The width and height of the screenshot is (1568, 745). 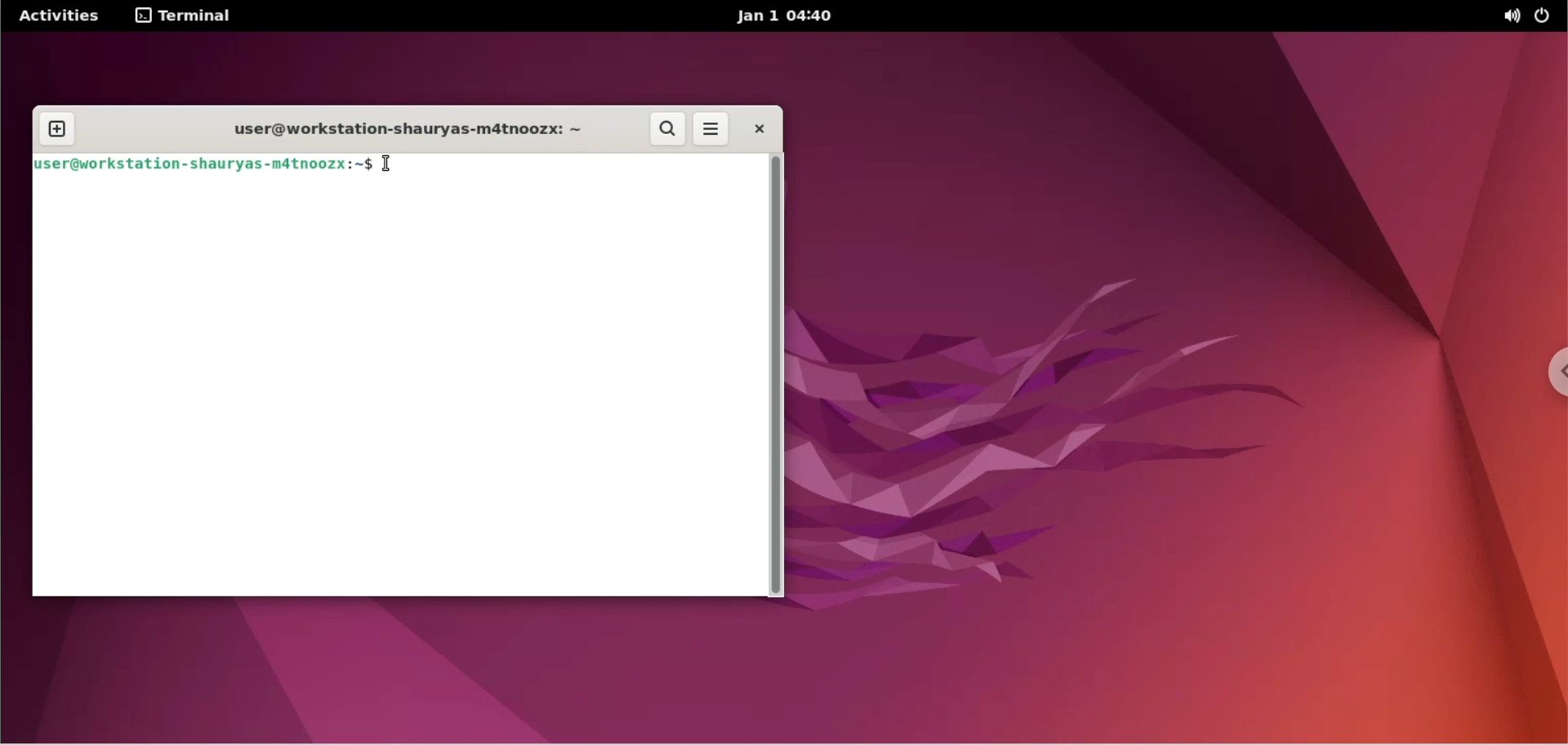 I want to click on Activities, so click(x=56, y=18).